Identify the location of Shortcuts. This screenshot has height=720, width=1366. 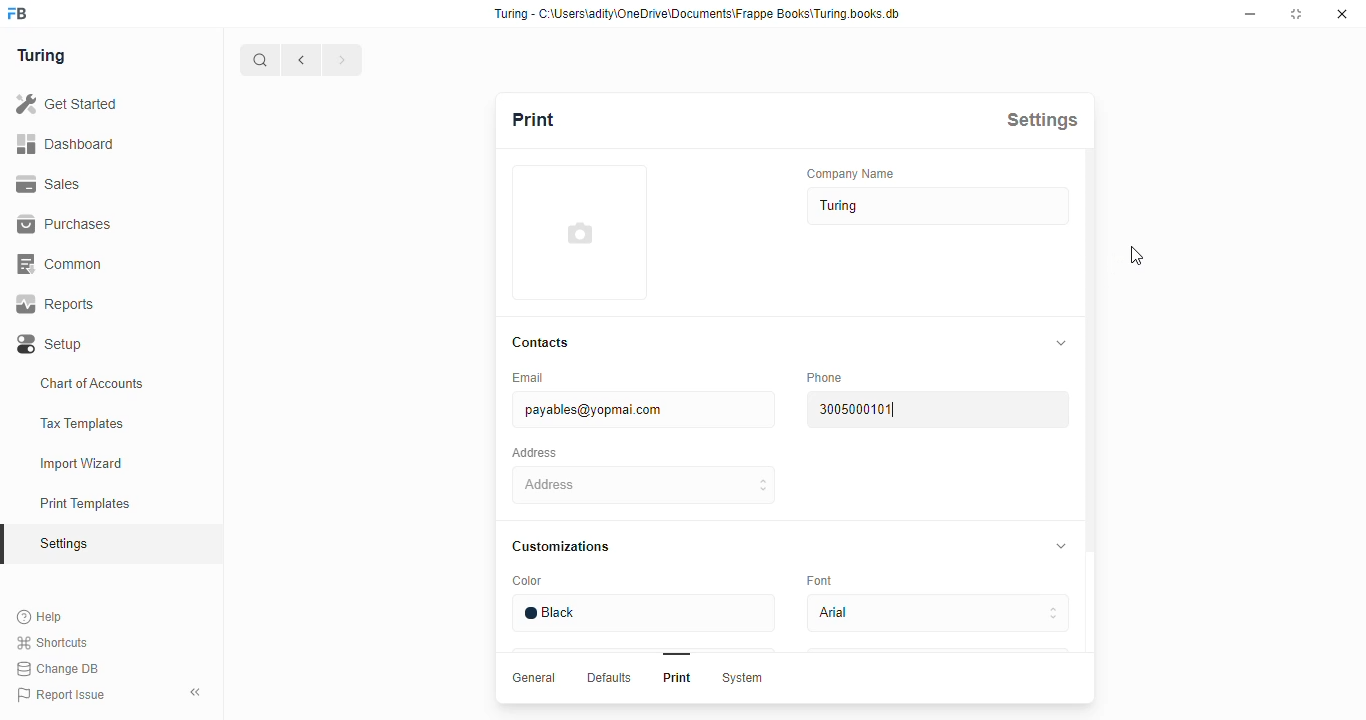
(57, 642).